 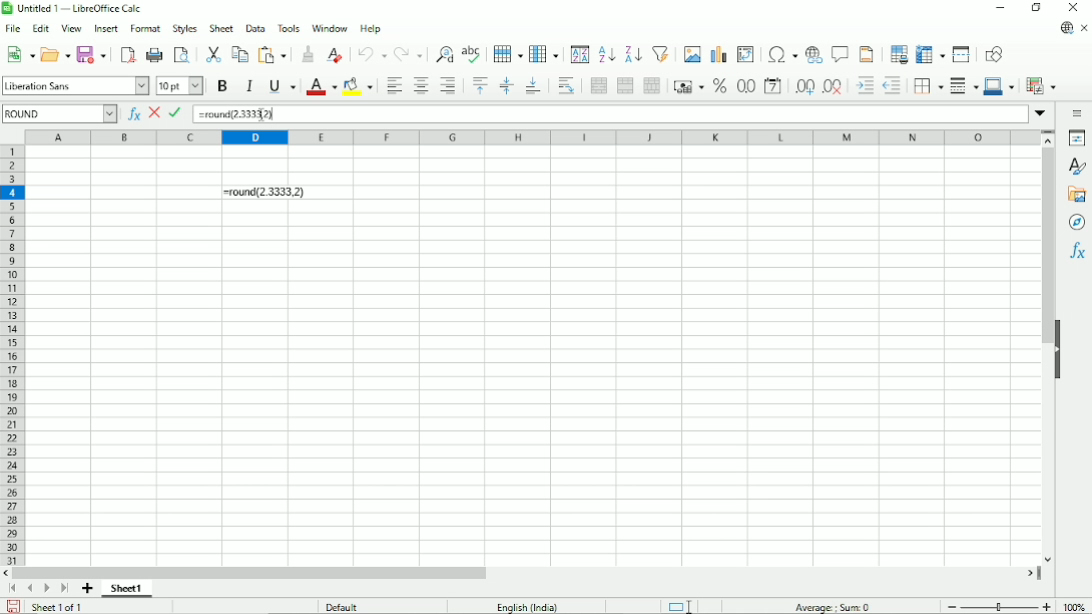 I want to click on Format as number, so click(x=746, y=86).